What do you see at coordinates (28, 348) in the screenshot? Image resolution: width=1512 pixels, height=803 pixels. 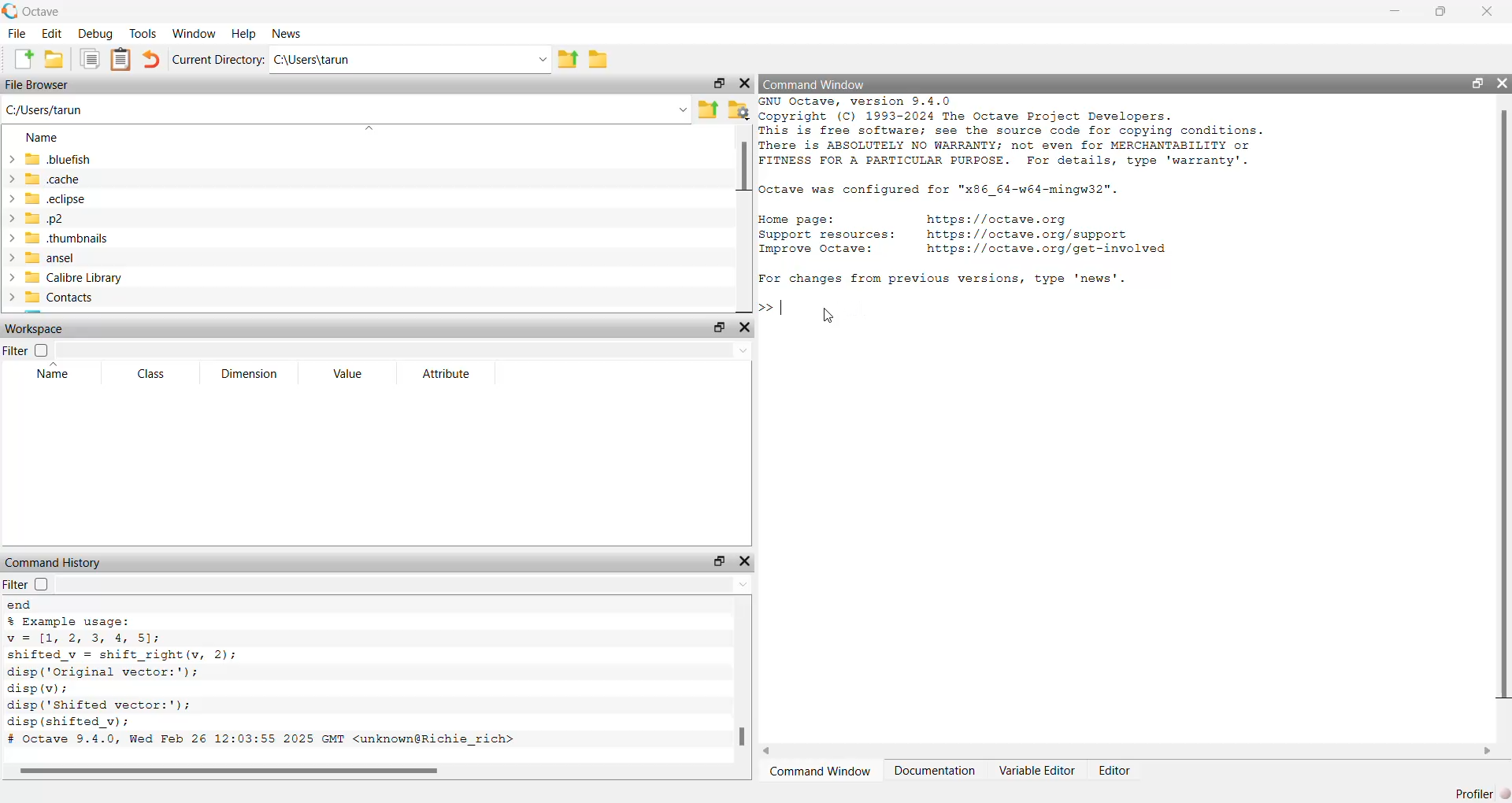 I see `filter` at bounding box center [28, 348].